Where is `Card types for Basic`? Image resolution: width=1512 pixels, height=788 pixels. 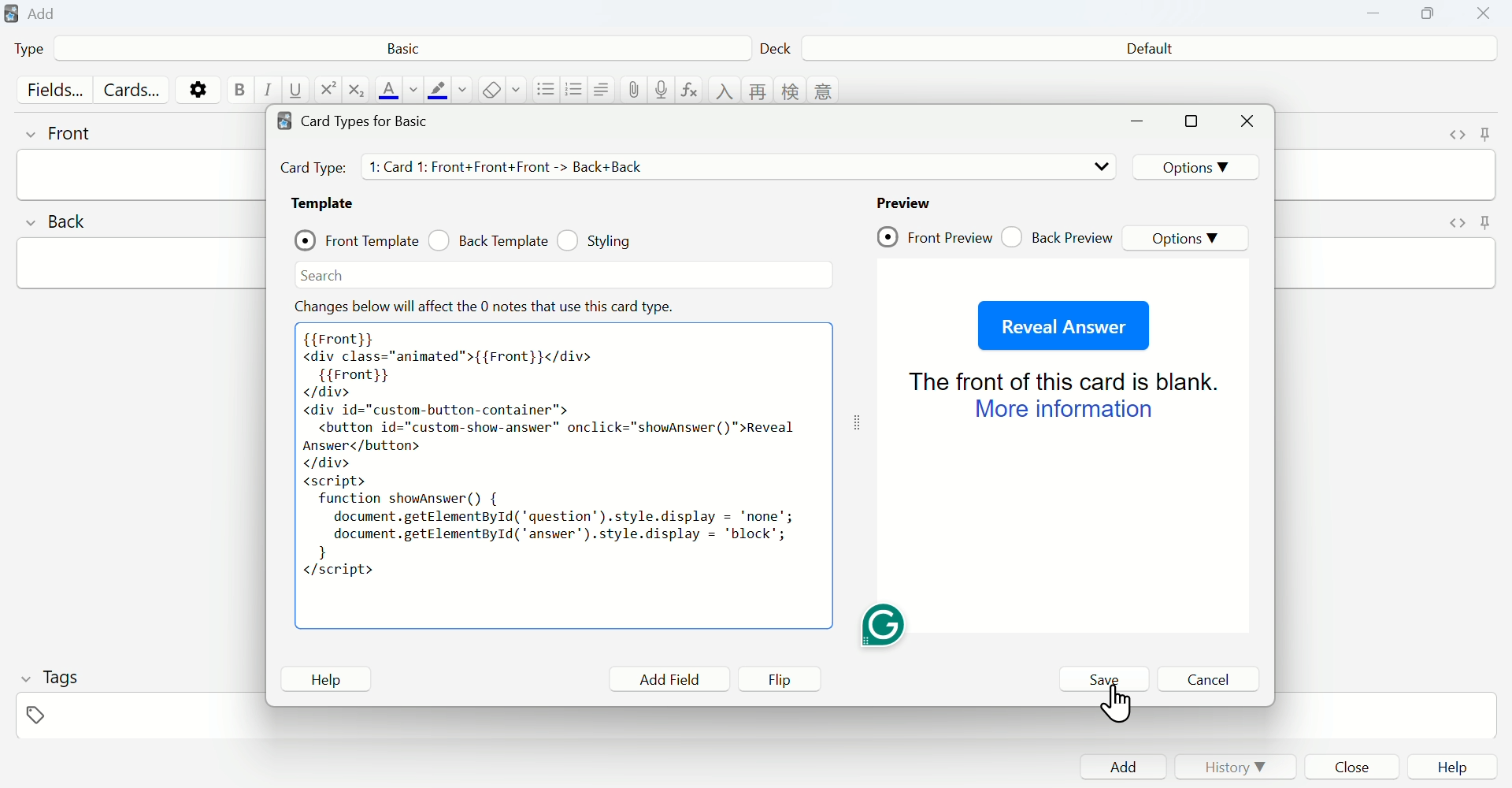 Card types for Basic is located at coordinates (363, 118).